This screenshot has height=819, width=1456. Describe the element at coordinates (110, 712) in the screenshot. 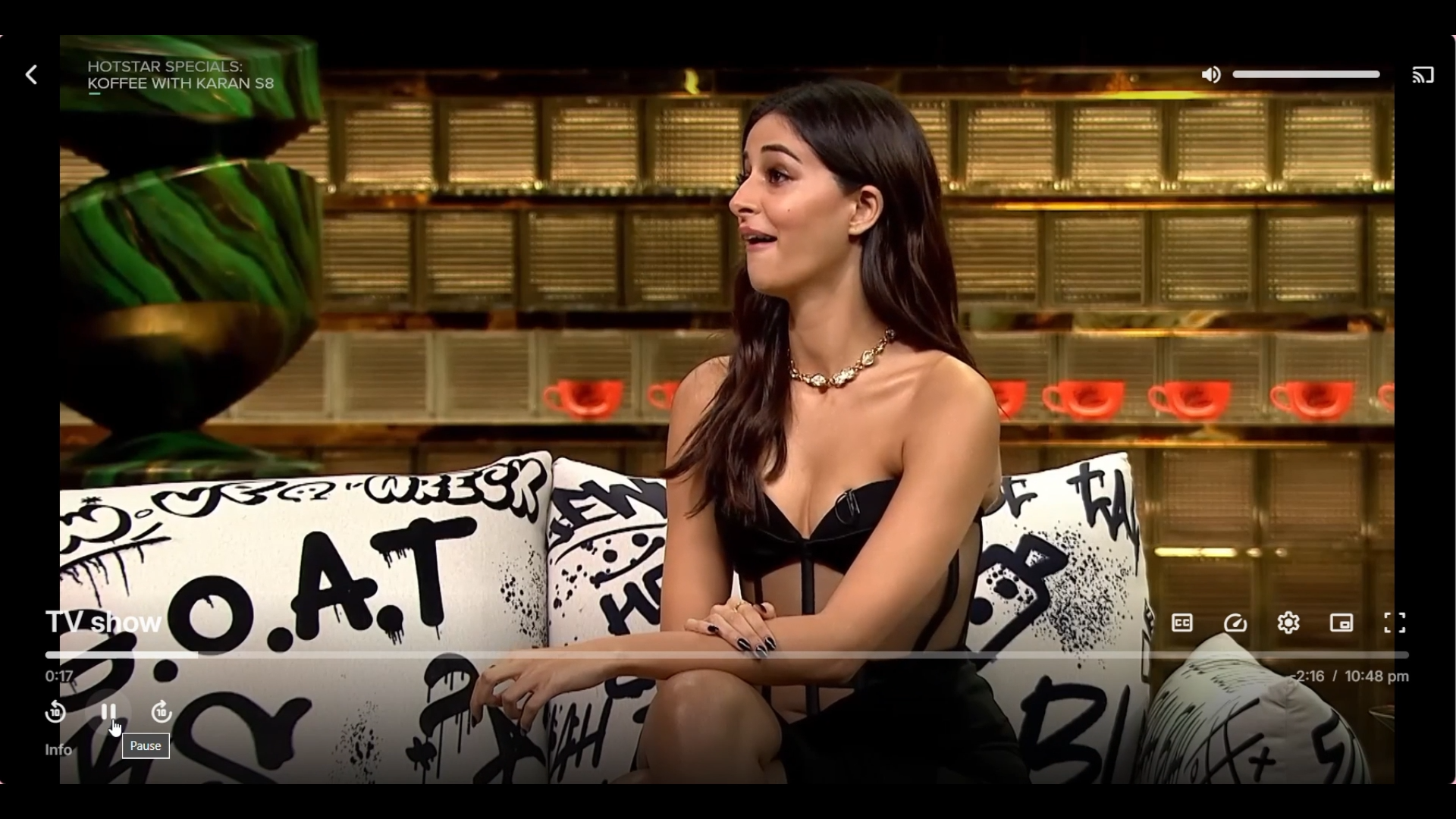

I see `Click to pause` at that location.